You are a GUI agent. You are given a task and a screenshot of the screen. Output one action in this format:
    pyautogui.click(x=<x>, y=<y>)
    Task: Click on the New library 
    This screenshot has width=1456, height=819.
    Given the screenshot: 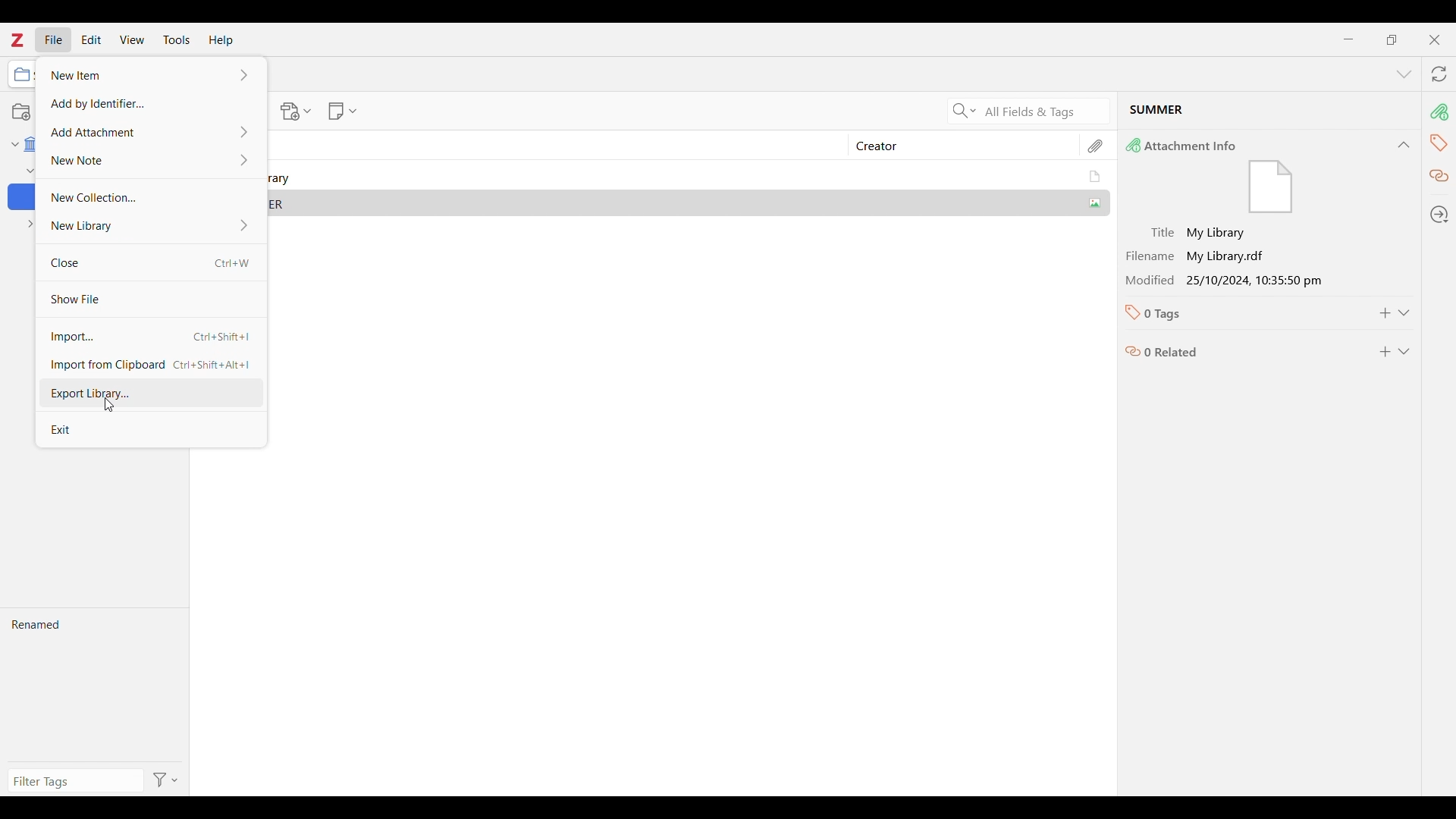 What is the action you would take?
    pyautogui.click(x=147, y=227)
    